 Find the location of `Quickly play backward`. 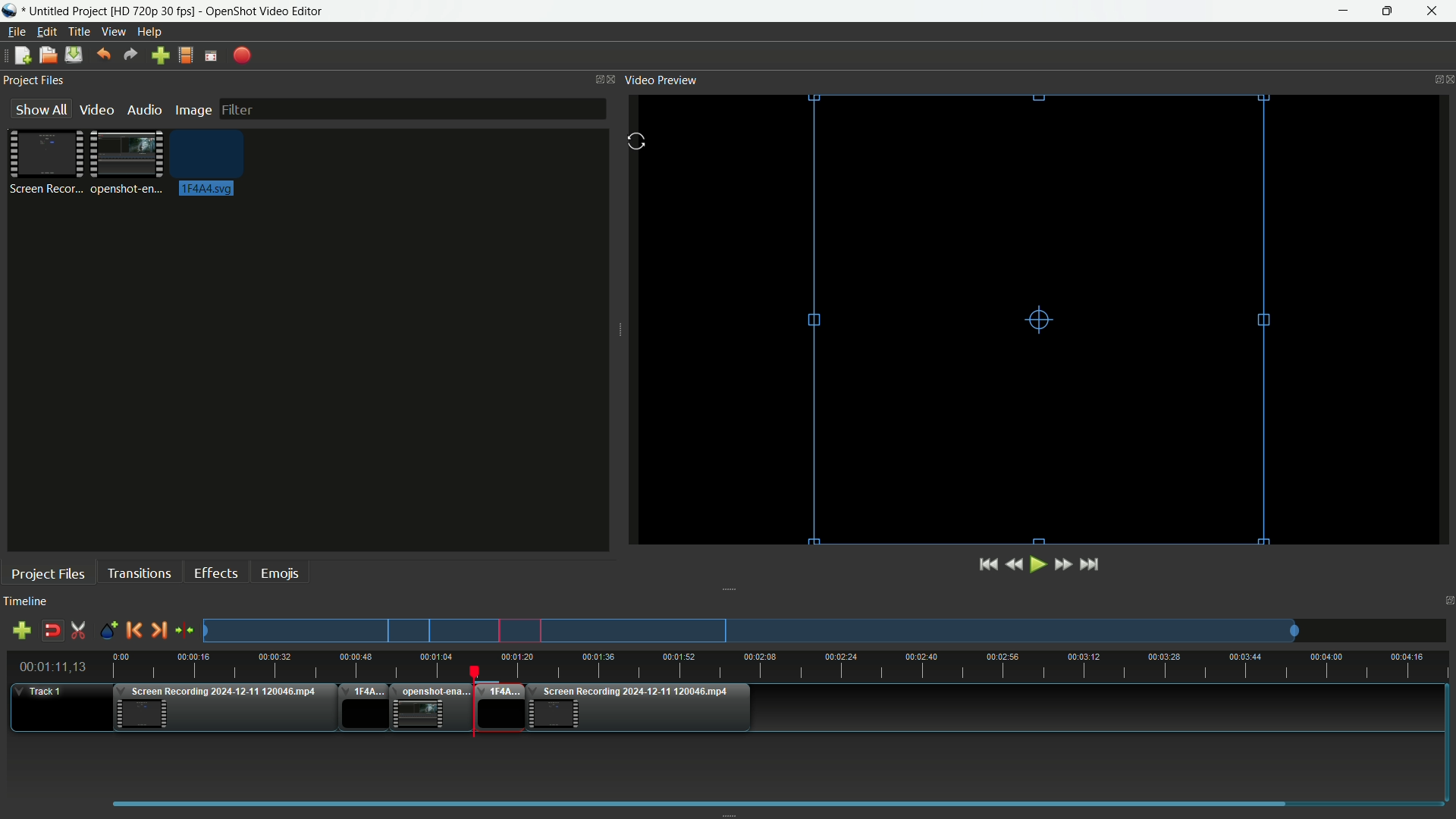

Quickly play backward is located at coordinates (1018, 564).